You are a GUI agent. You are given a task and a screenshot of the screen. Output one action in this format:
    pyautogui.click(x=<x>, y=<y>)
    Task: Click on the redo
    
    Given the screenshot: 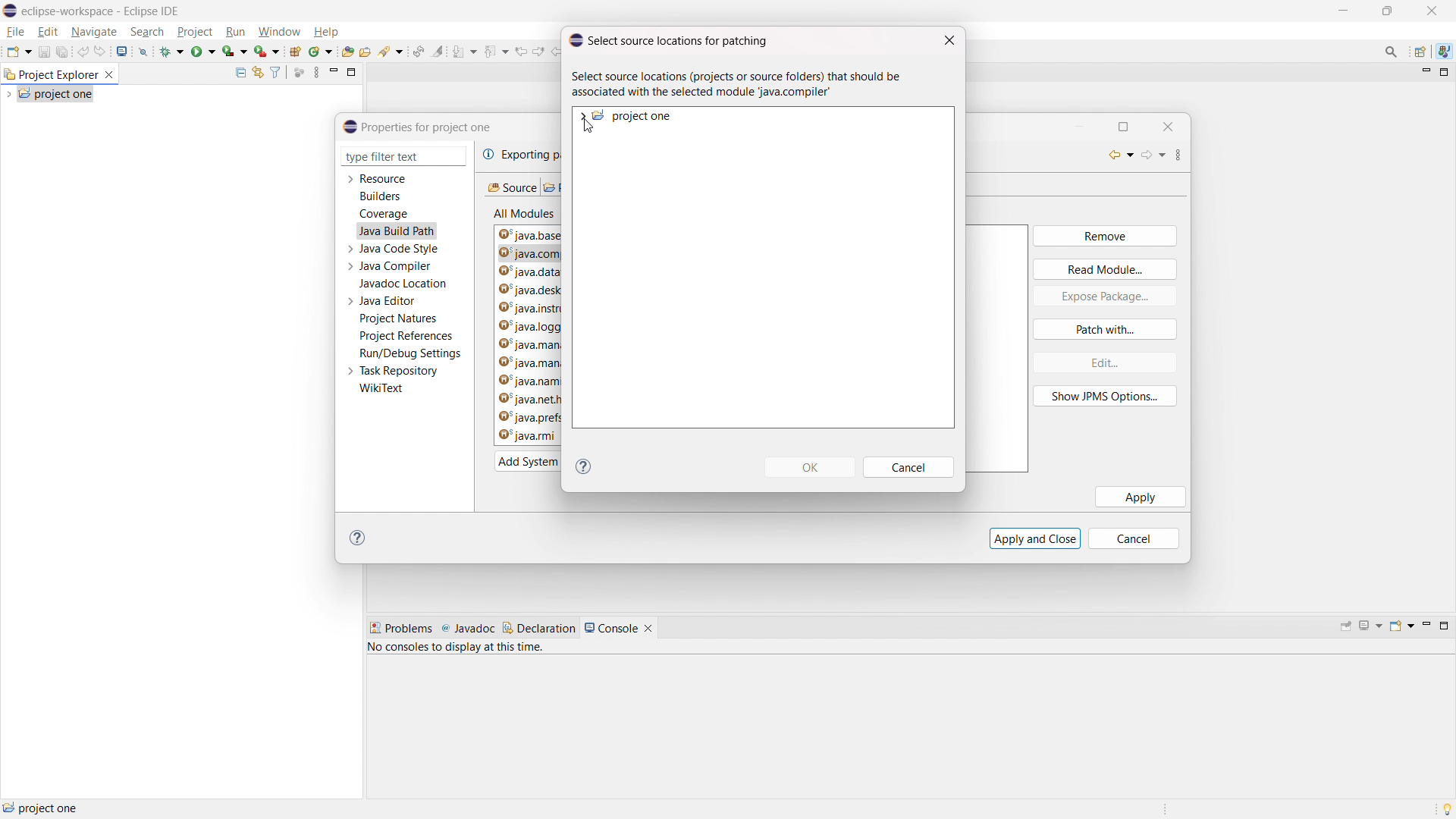 What is the action you would take?
    pyautogui.click(x=101, y=51)
    